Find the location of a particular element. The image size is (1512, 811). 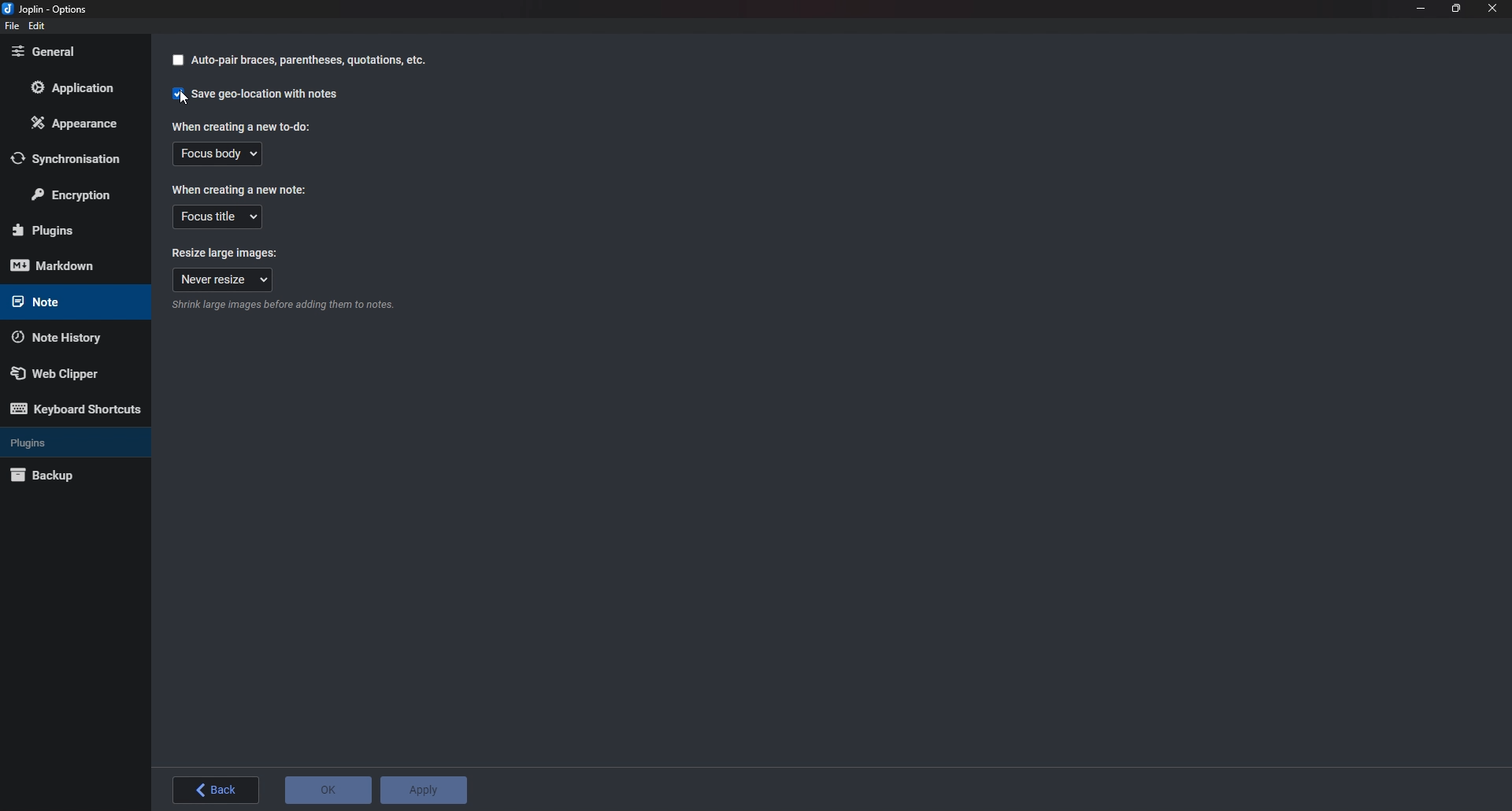

cursor is located at coordinates (183, 98).